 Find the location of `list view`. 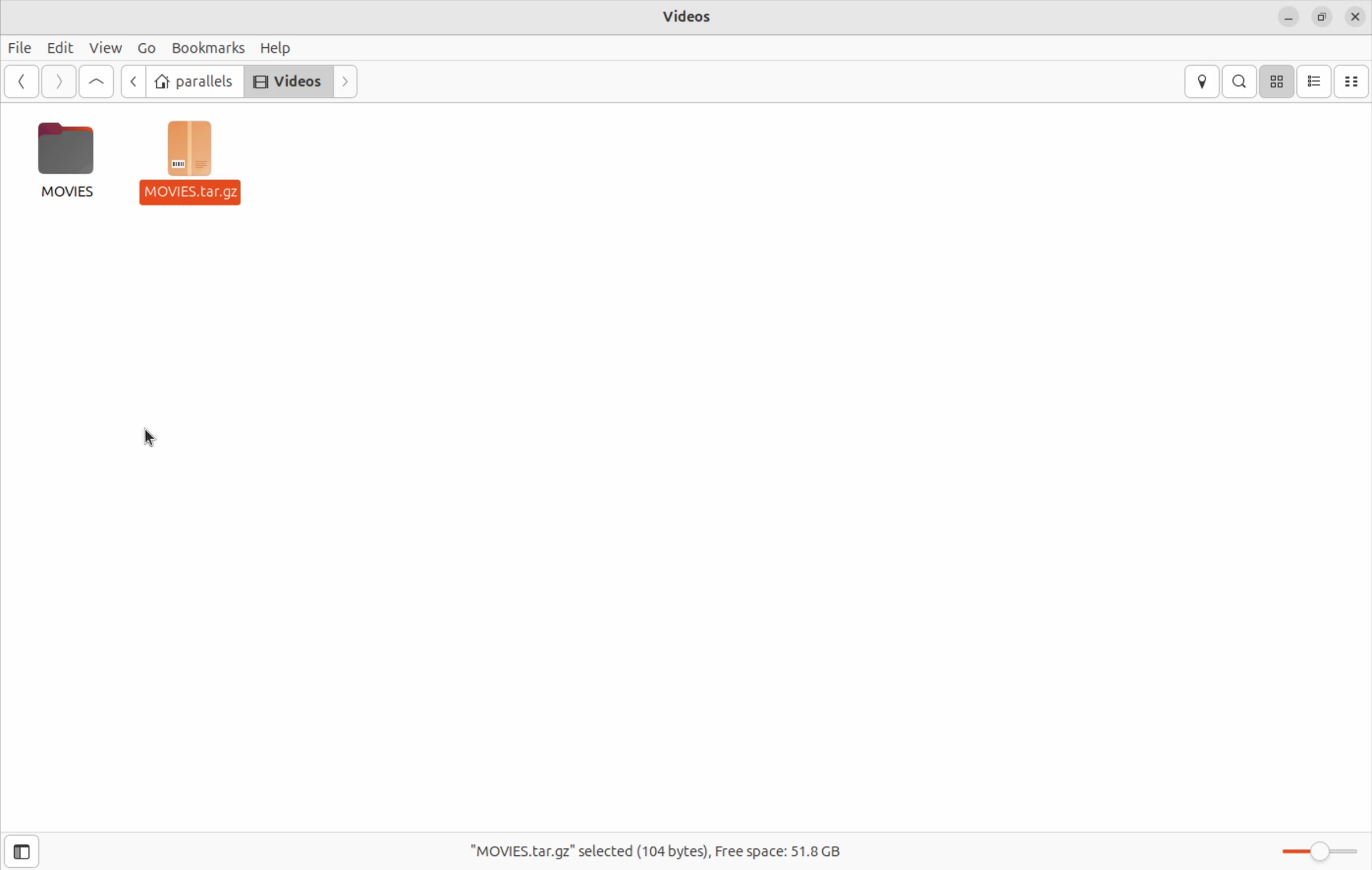

list view is located at coordinates (1314, 81).